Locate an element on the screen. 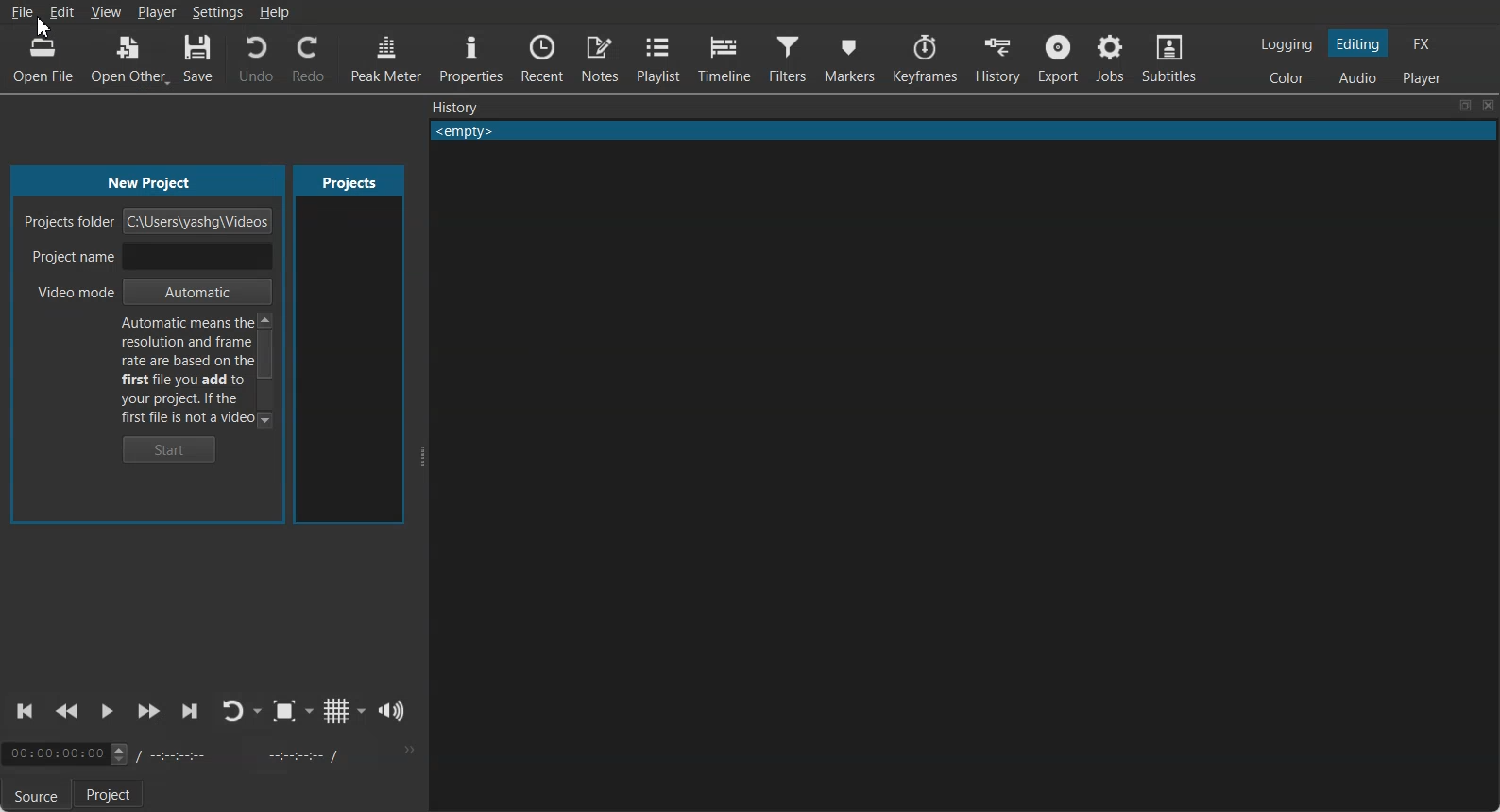 The height and width of the screenshot is (812, 1500). Slide adjuster is located at coordinates (420, 457).